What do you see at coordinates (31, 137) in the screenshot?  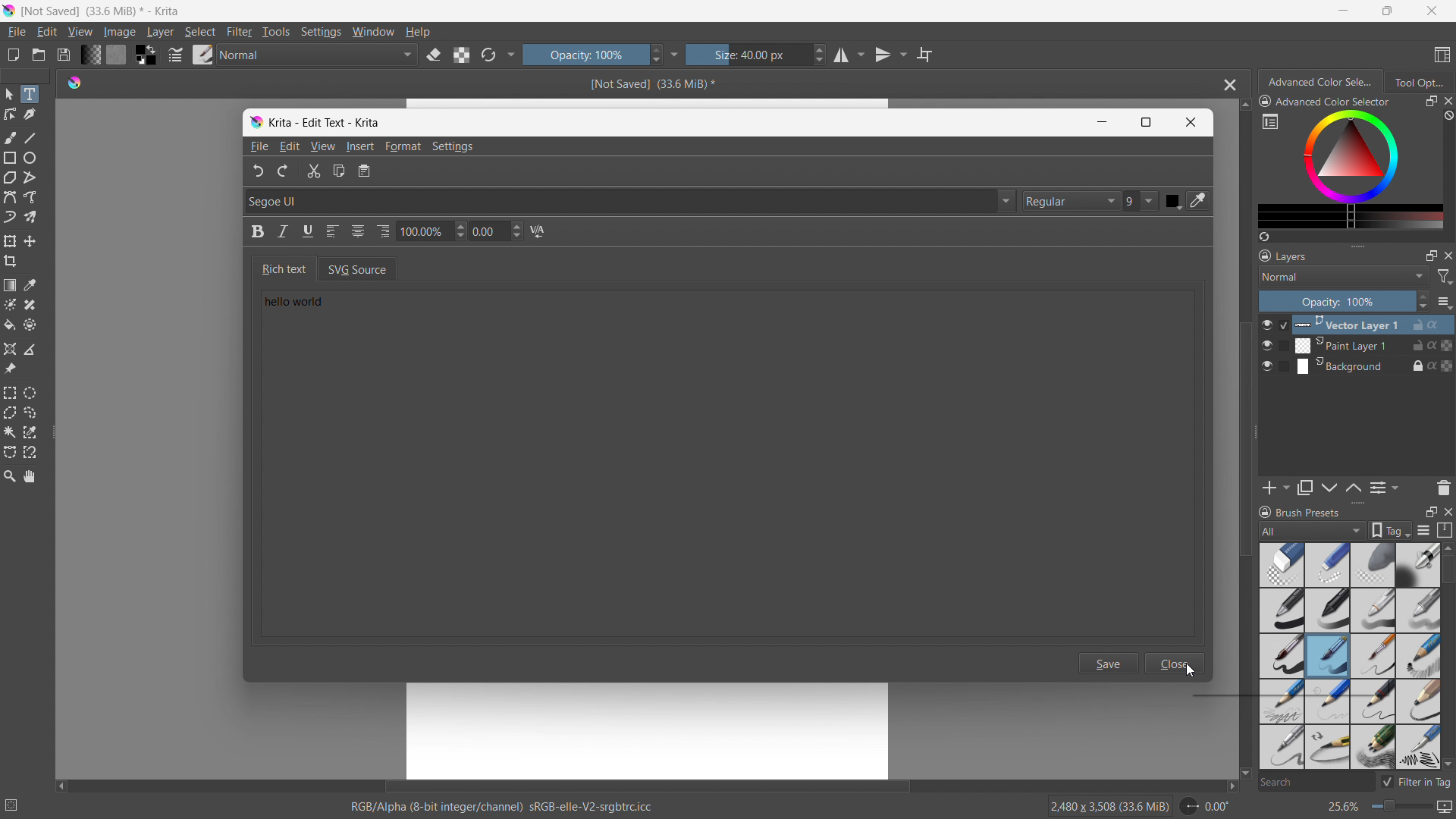 I see `line tool` at bounding box center [31, 137].